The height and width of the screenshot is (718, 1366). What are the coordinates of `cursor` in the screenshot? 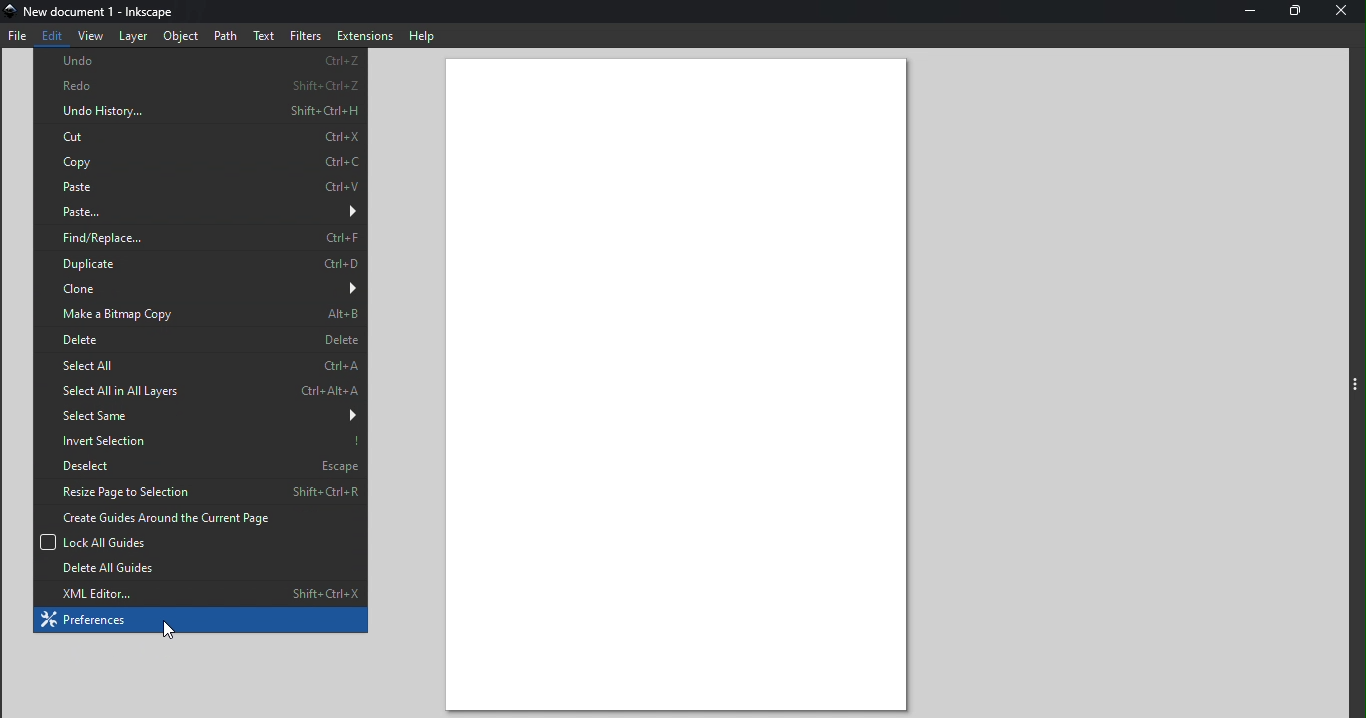 It's located at (168, 632).